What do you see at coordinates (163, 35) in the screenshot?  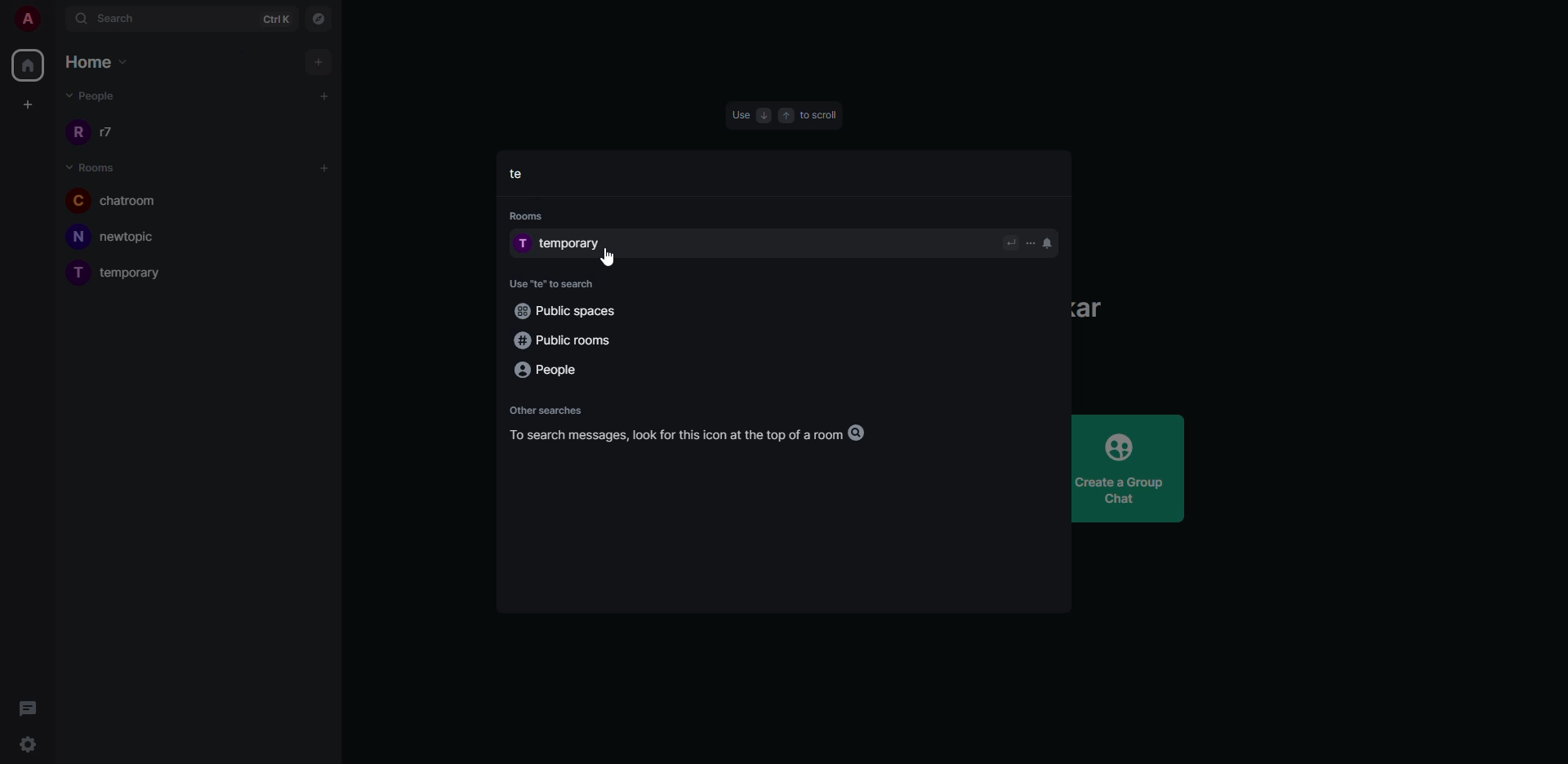 I see `CURSOR` at bounding box center [163, 35].